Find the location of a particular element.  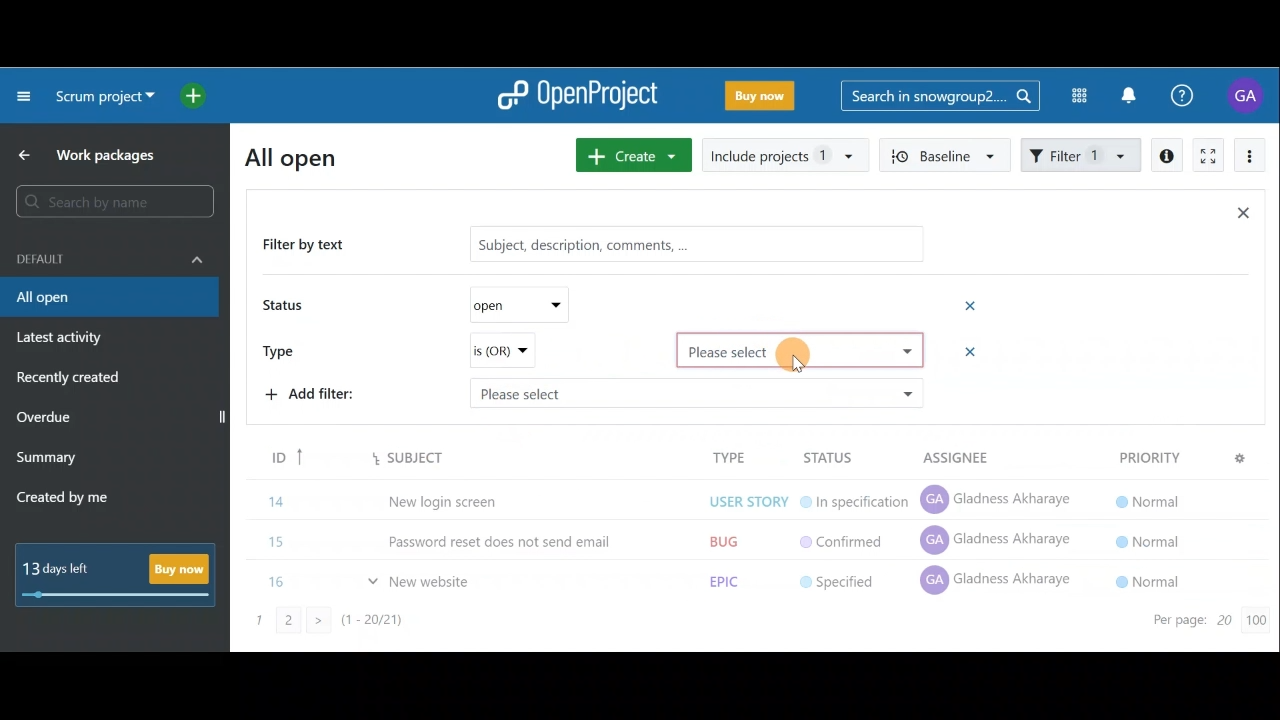

Subject, description, comments is located at coordinates (688, 247).